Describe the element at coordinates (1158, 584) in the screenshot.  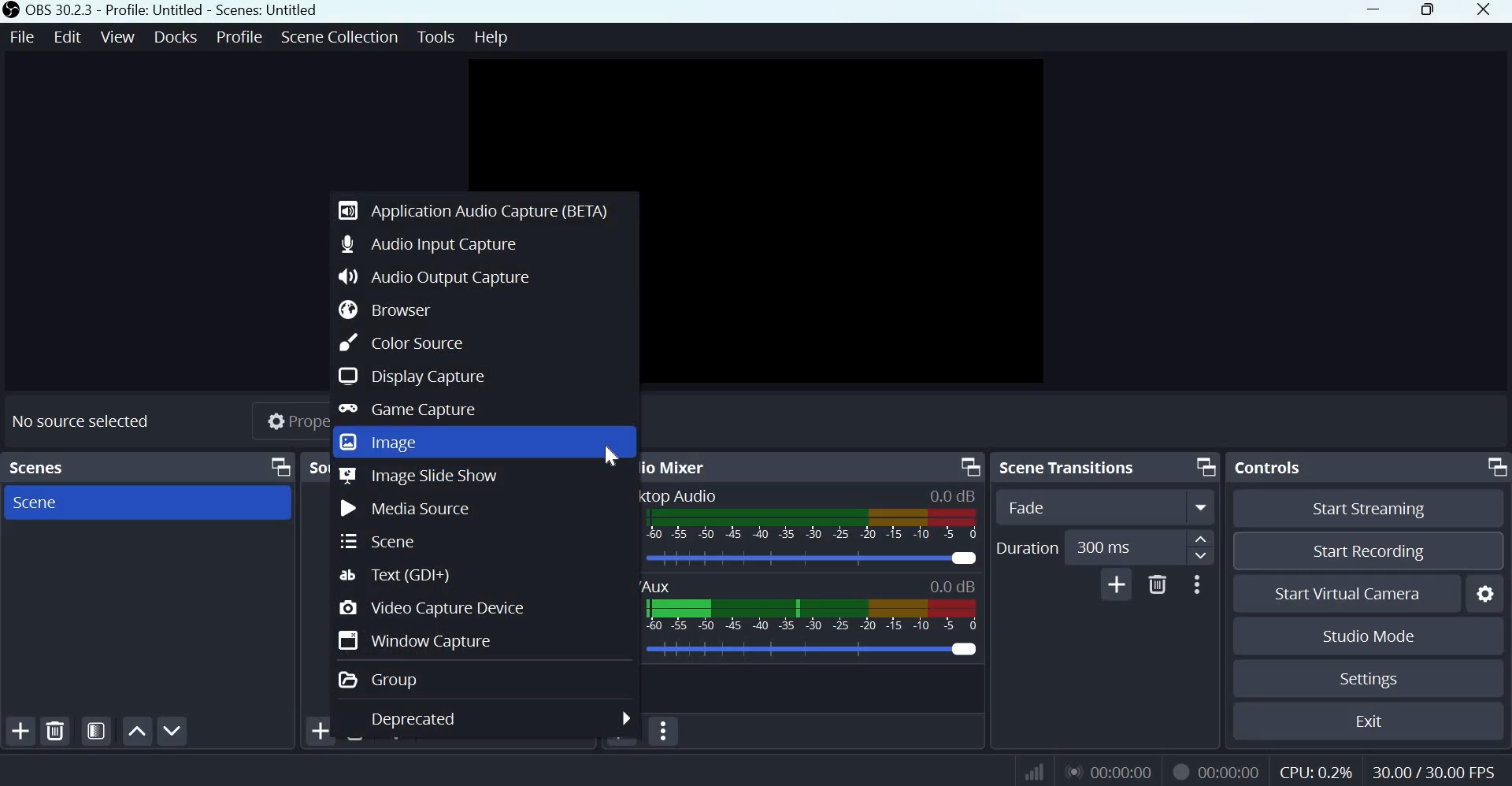
I see `Delete Transition` at that location.